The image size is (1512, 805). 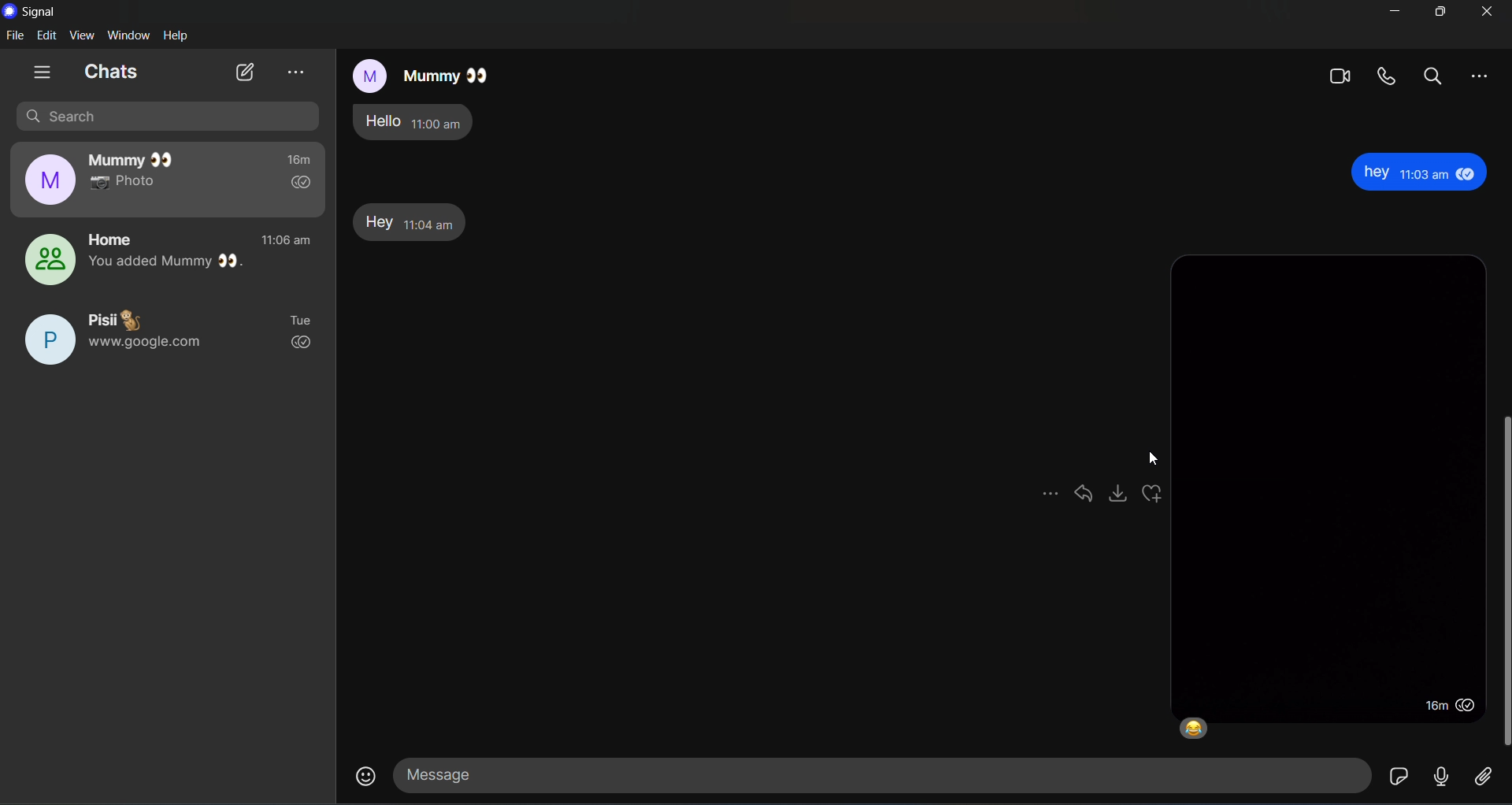 I want to click on calls, so click(x=1384, y=76).